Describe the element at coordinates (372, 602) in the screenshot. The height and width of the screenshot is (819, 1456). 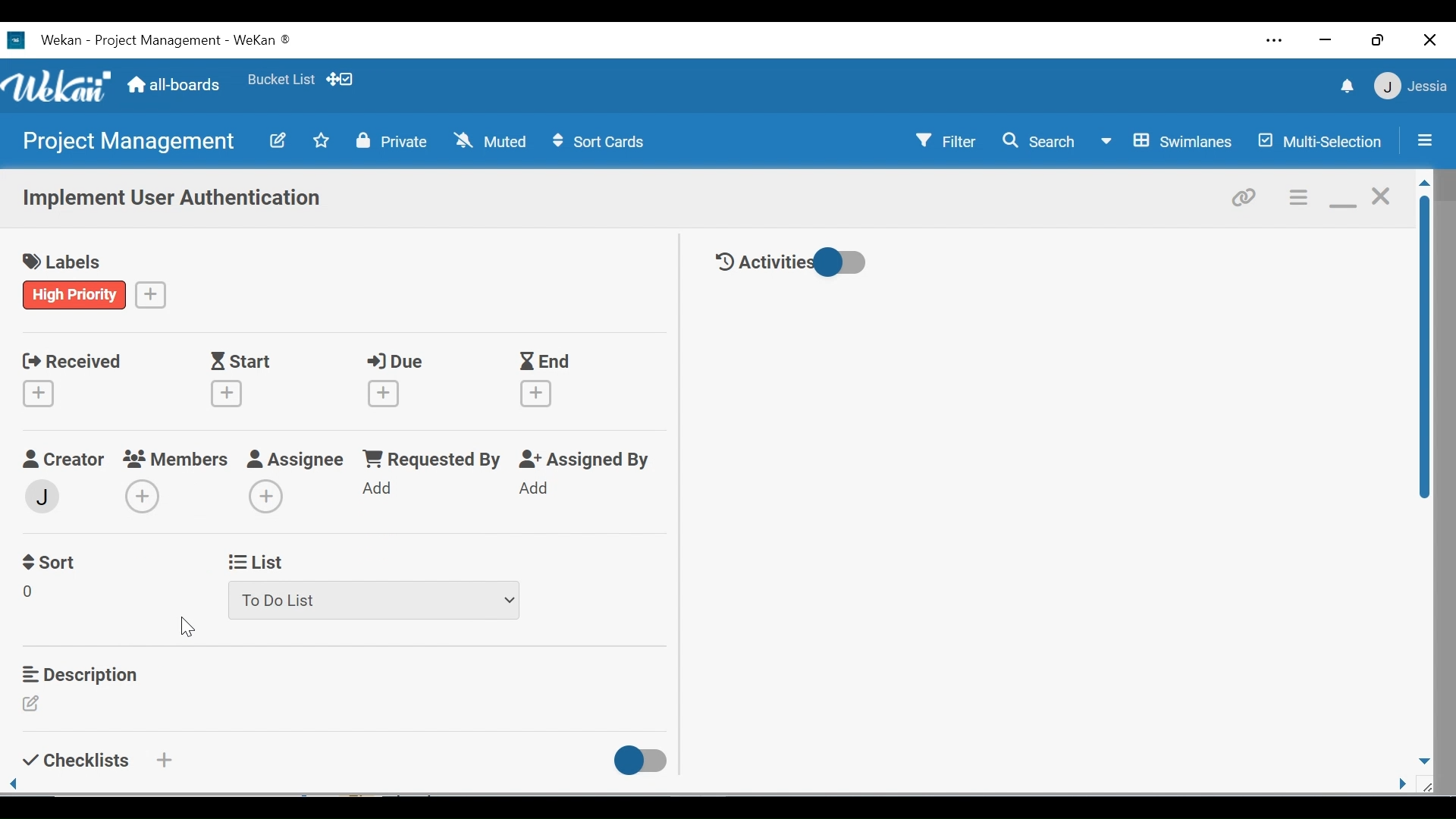
I see `To Do List ` at that location.